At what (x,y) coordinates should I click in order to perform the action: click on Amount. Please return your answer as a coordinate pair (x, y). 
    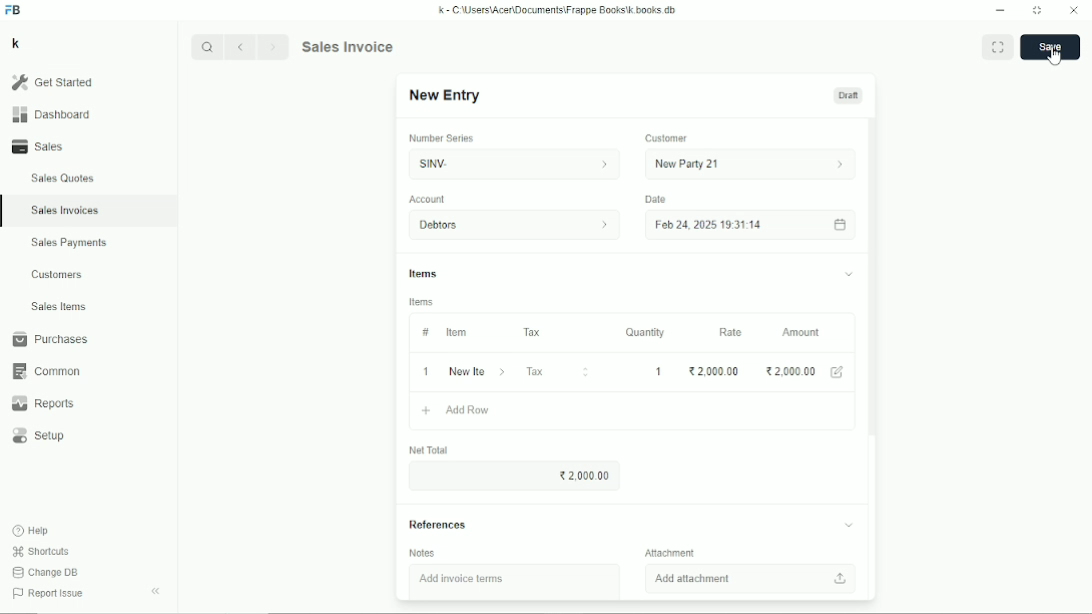
    Looking at the image, I should click on (802, 332).